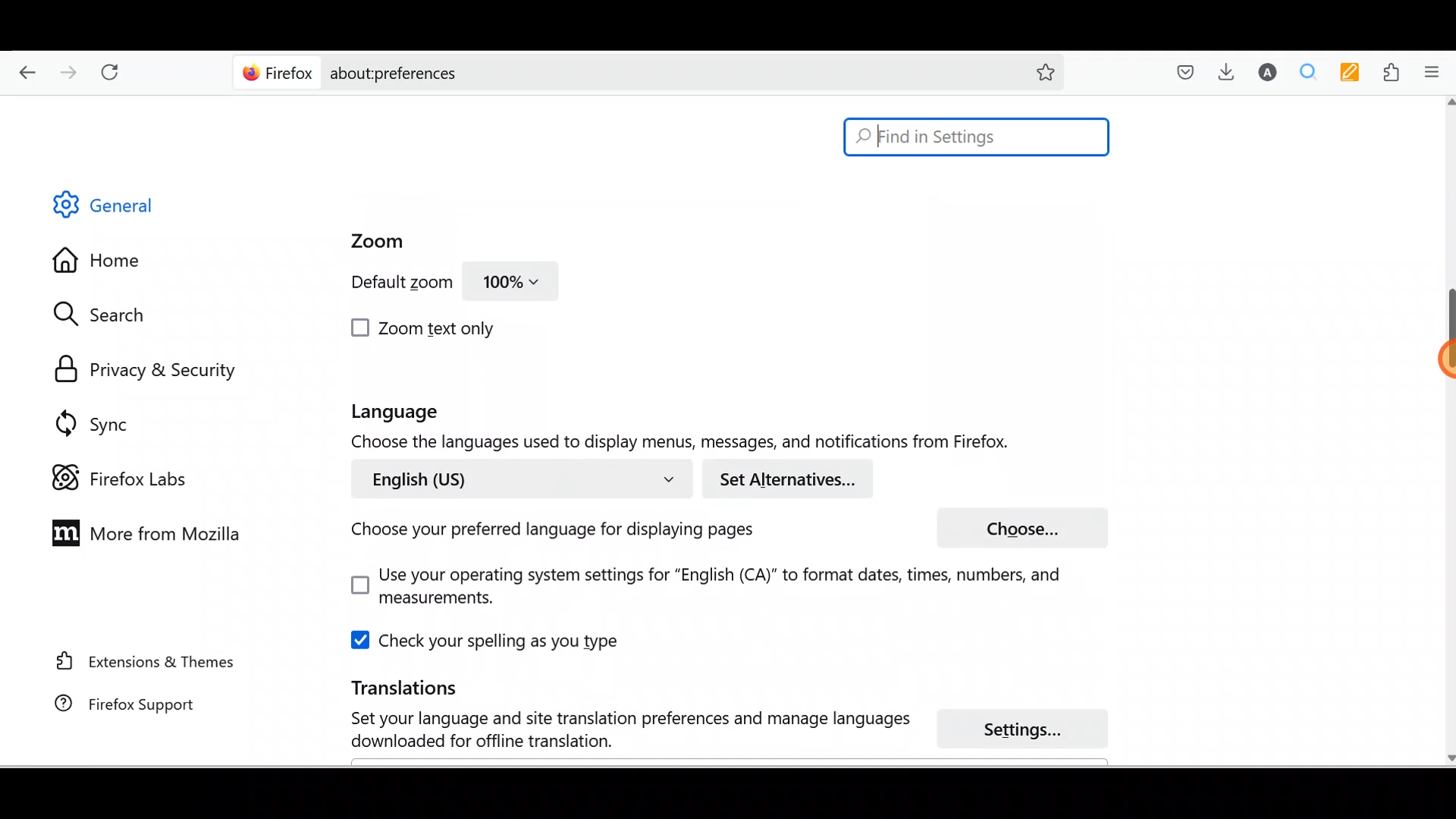  What do you see at coordinates (138, 661) in the screenshot?
I see `Extension & Themes` at bounding box center [138, 661].